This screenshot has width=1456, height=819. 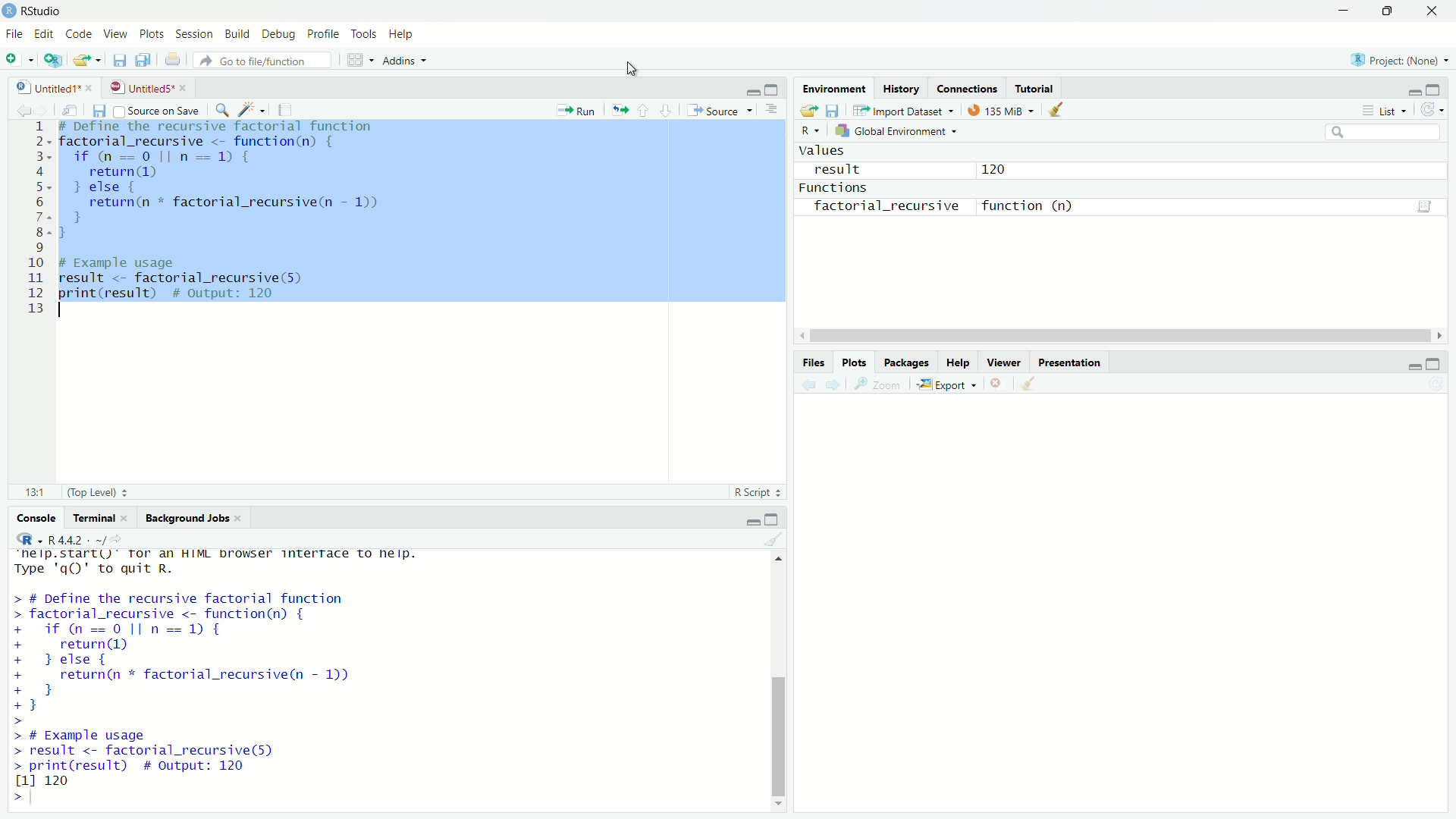 I want to click on Left, so click(x=799, y=329).